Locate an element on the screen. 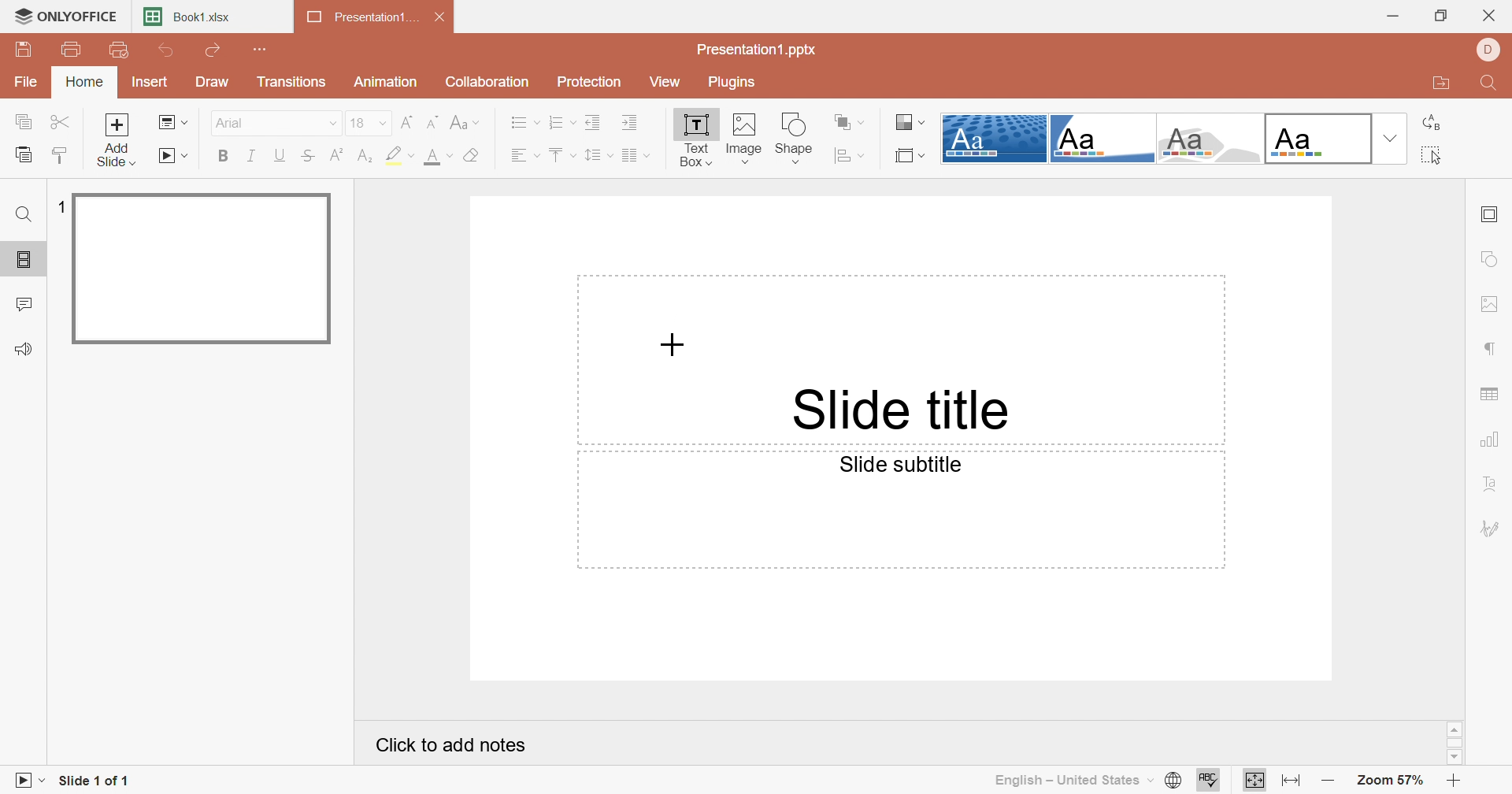 The image size is (1512, 794). Replace is located at coordinates (1435, 123).